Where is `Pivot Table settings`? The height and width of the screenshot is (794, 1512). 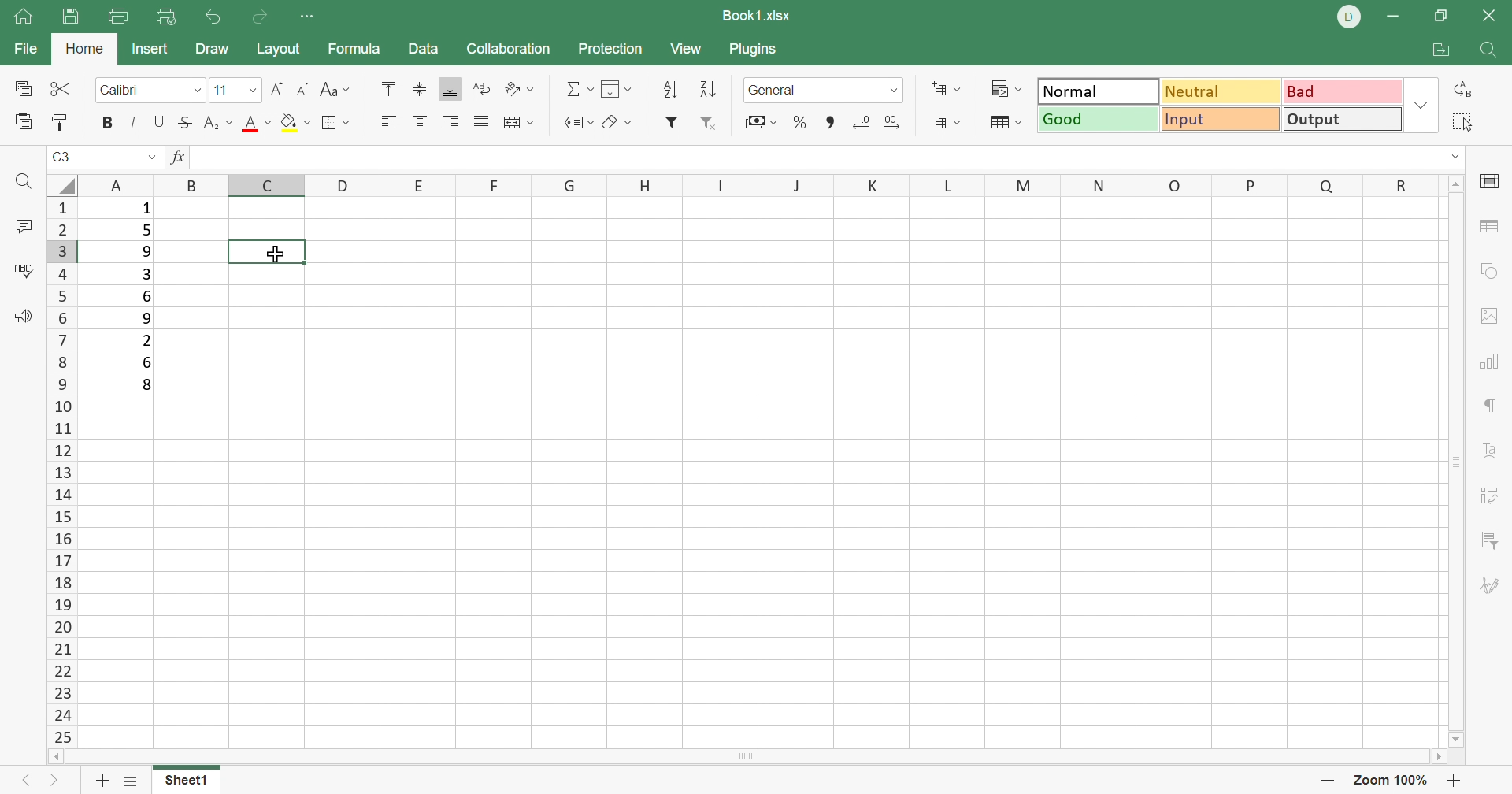 Pivot Table settings is located at coordinates (1494, 497).